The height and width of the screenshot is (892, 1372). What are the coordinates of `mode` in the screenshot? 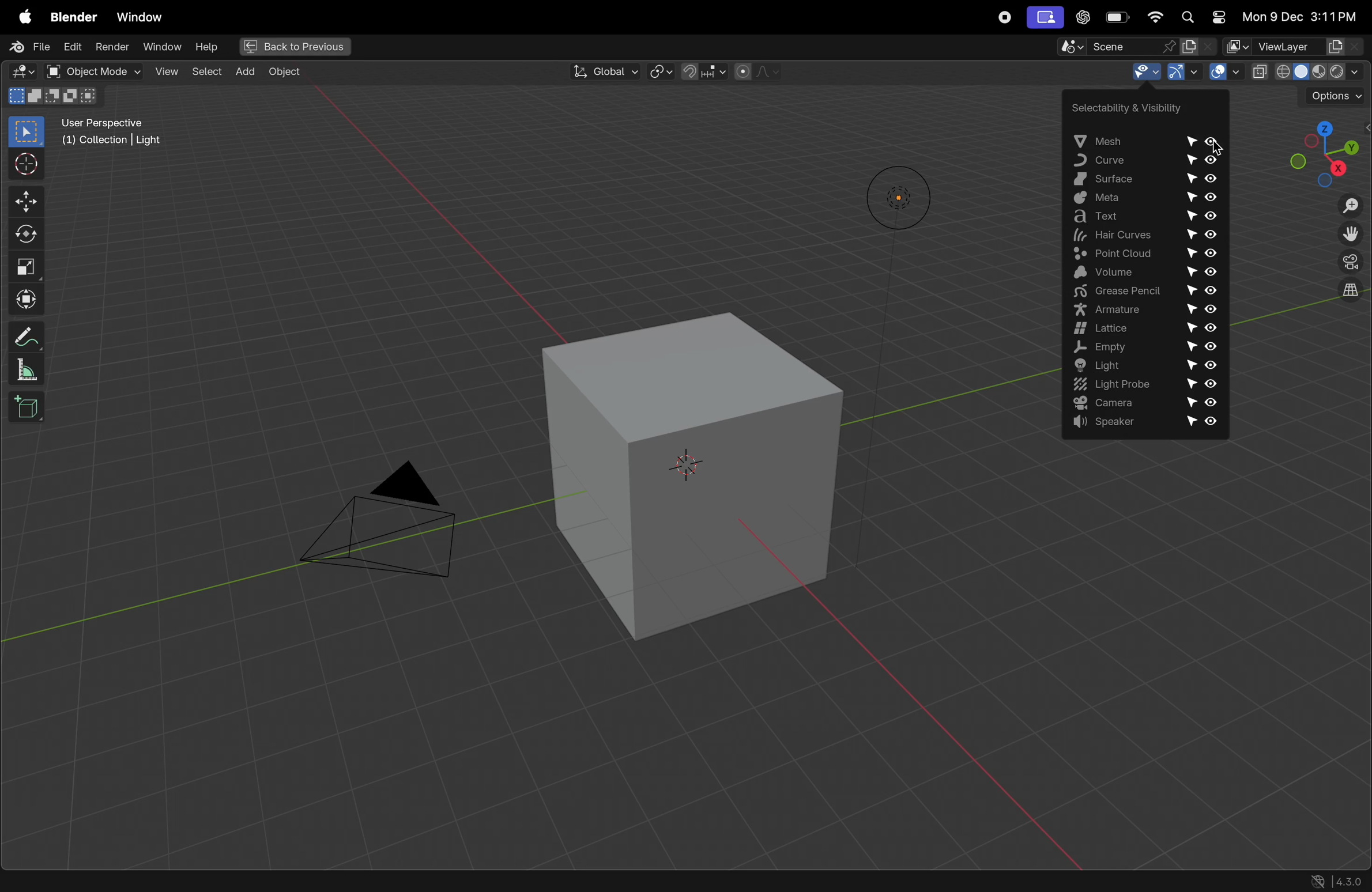 It's located at (54, 96).